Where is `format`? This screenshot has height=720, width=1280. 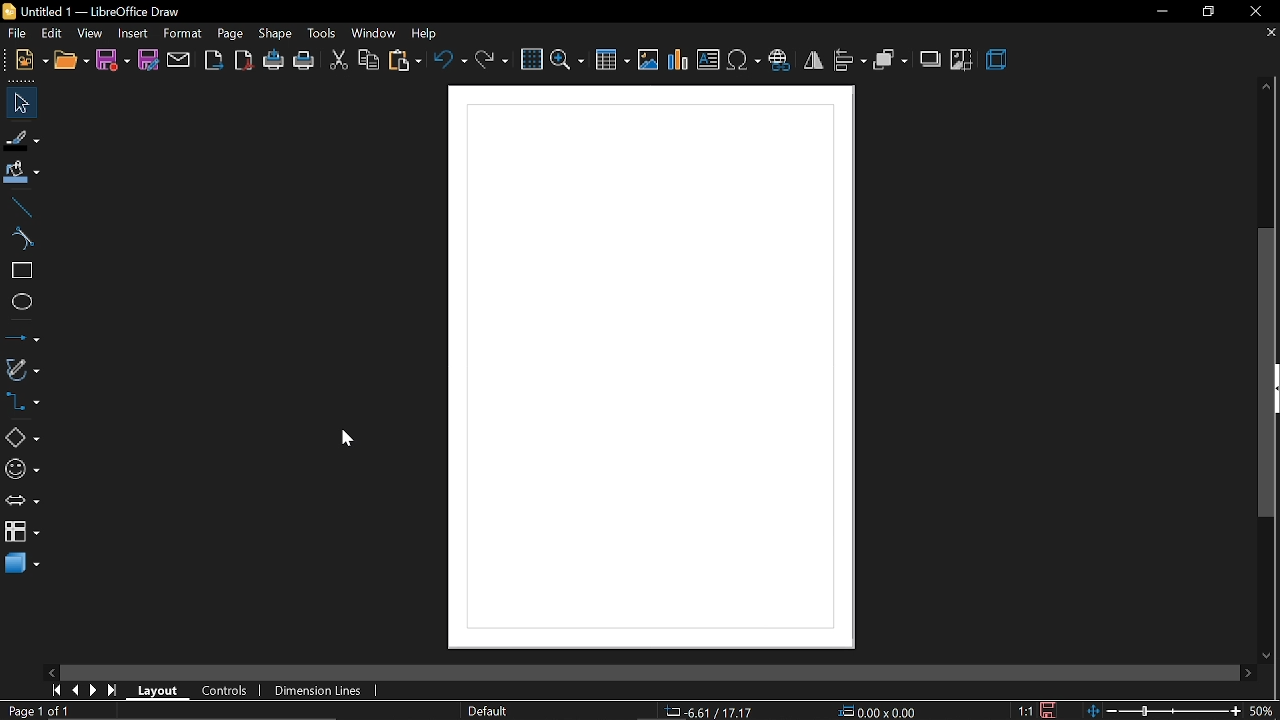 format is located at coordinates (183, 34).